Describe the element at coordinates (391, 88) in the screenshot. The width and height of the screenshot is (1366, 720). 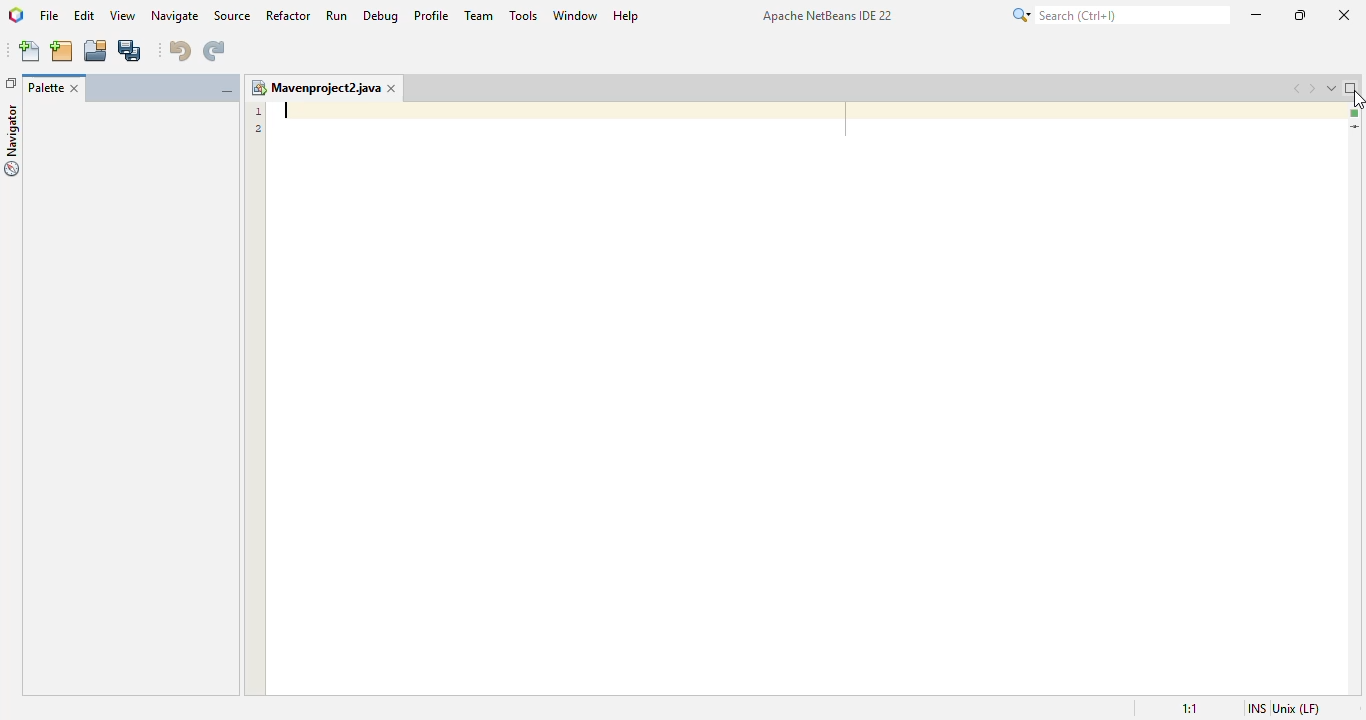
I see `close window` at that location.